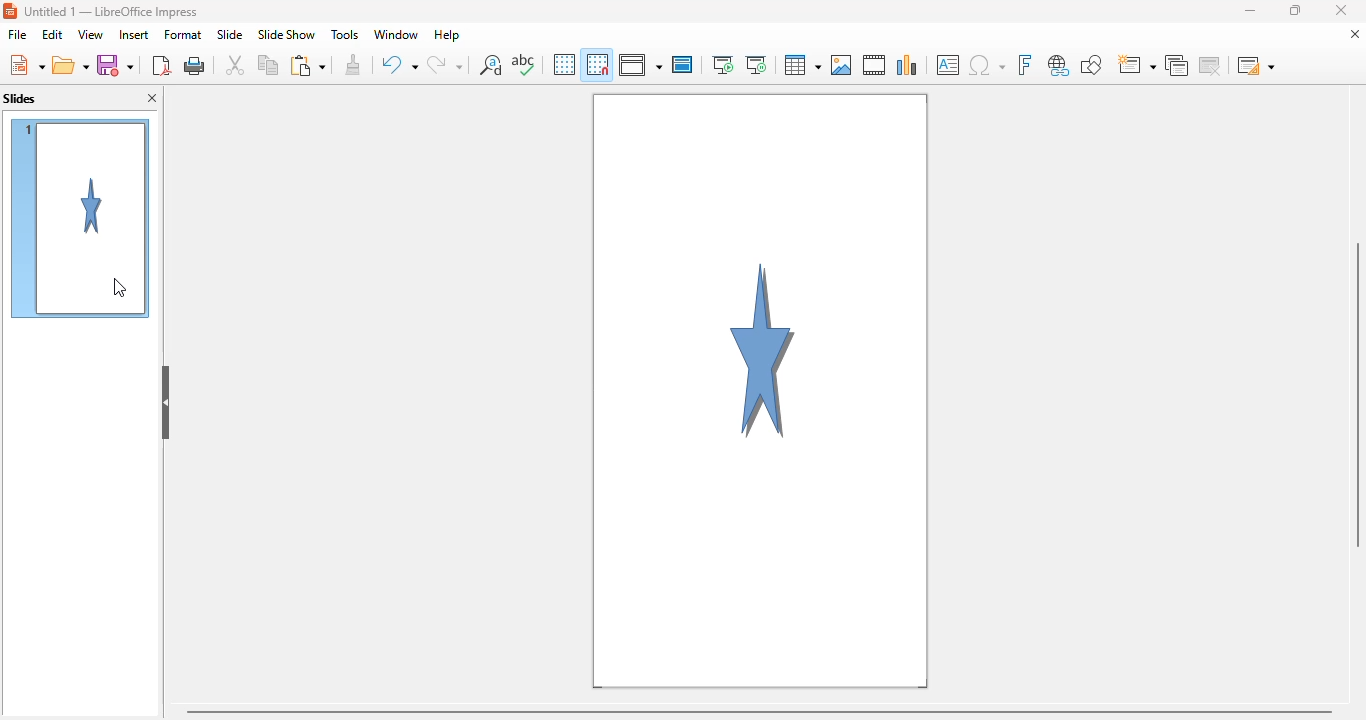 This screenshot has width=1366, height=720. What do you see at coordinates (803, 65) in the screenshot?
I see `table` at bounding box center [803, 65].